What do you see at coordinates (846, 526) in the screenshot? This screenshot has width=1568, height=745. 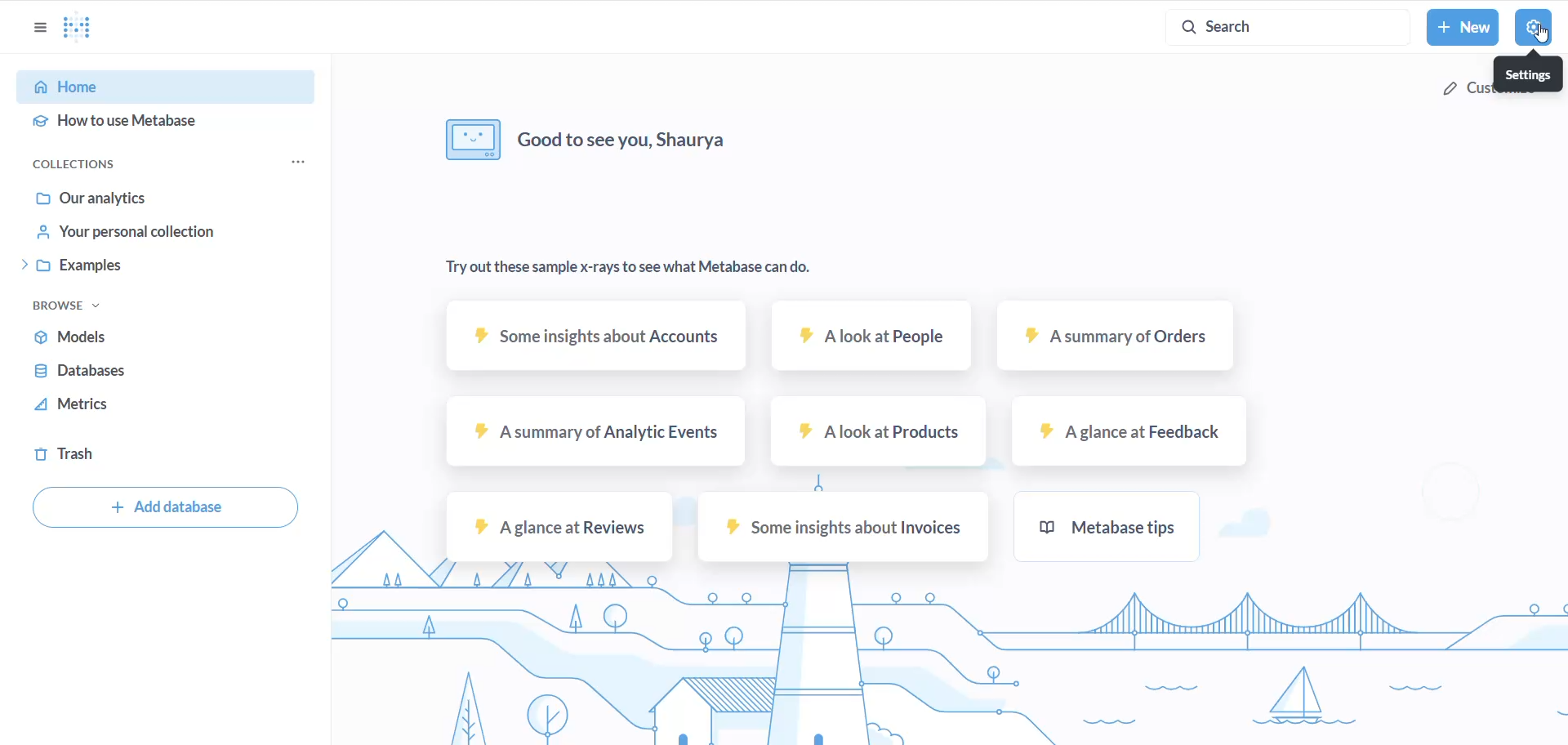 I see `some insights about invoices sample` at bounding box center [846, 526].